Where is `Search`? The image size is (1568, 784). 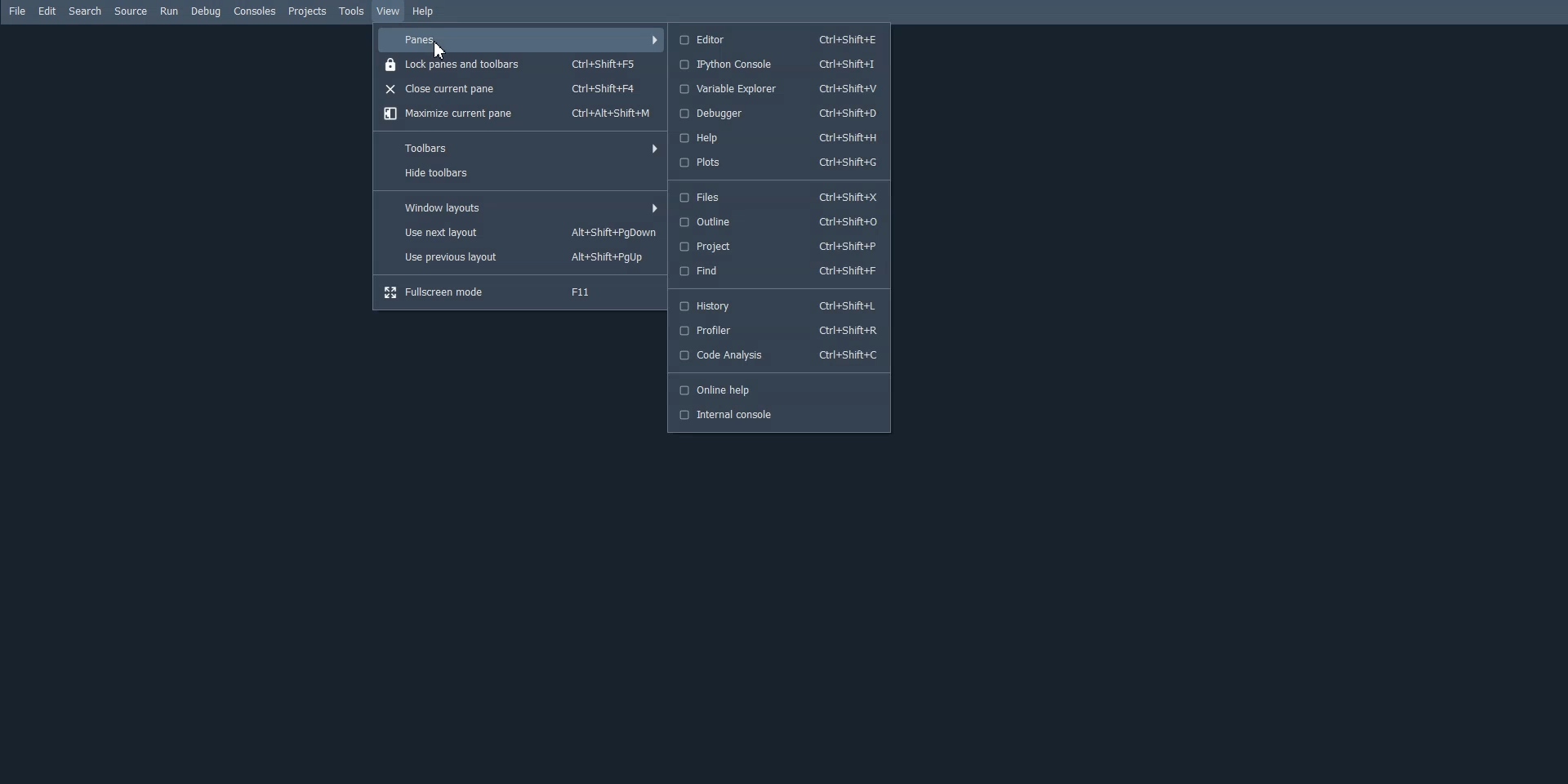
Search is located at coordinates (86, 11).